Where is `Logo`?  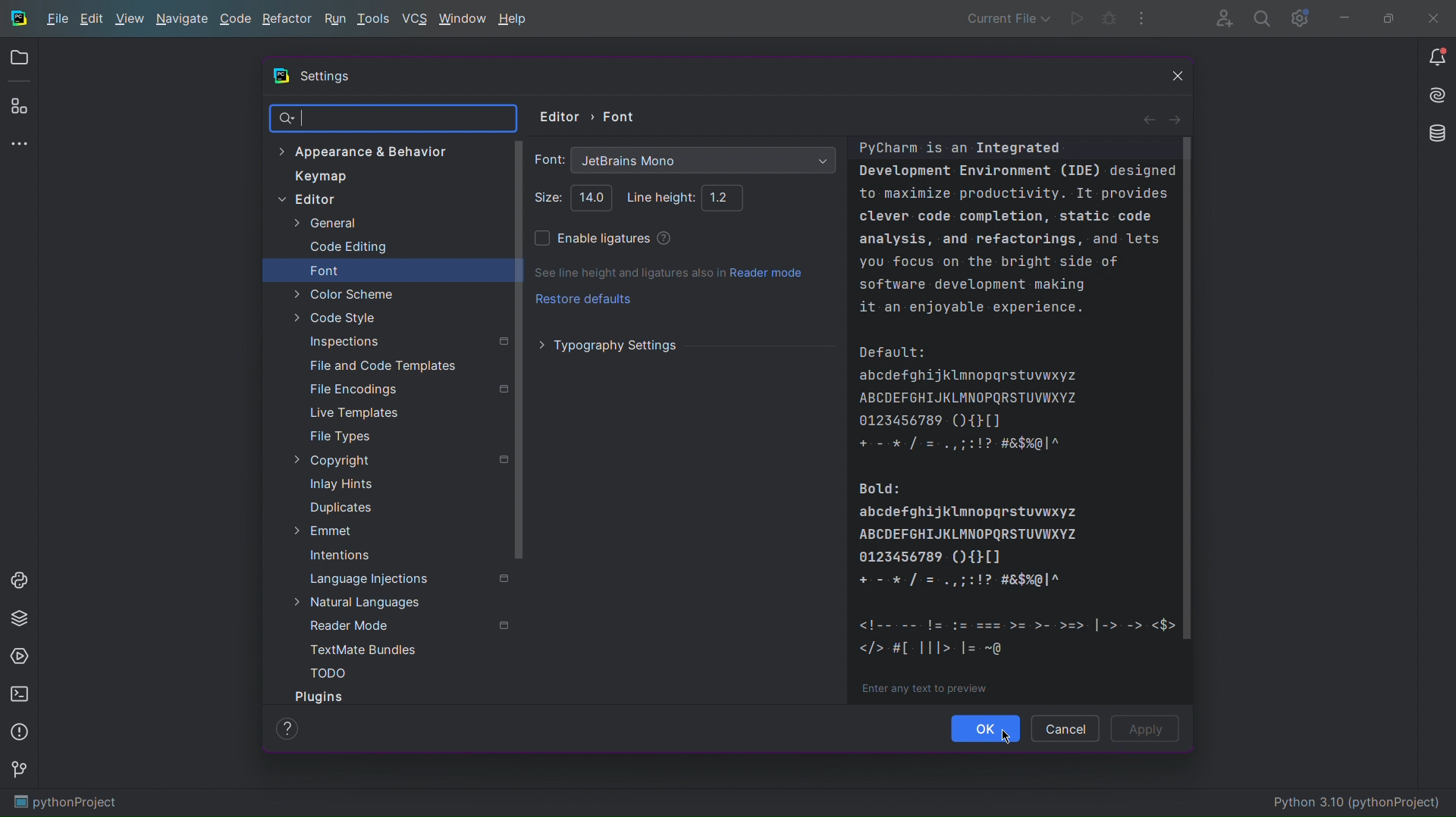 Logo is located at coordinates (19, 20).